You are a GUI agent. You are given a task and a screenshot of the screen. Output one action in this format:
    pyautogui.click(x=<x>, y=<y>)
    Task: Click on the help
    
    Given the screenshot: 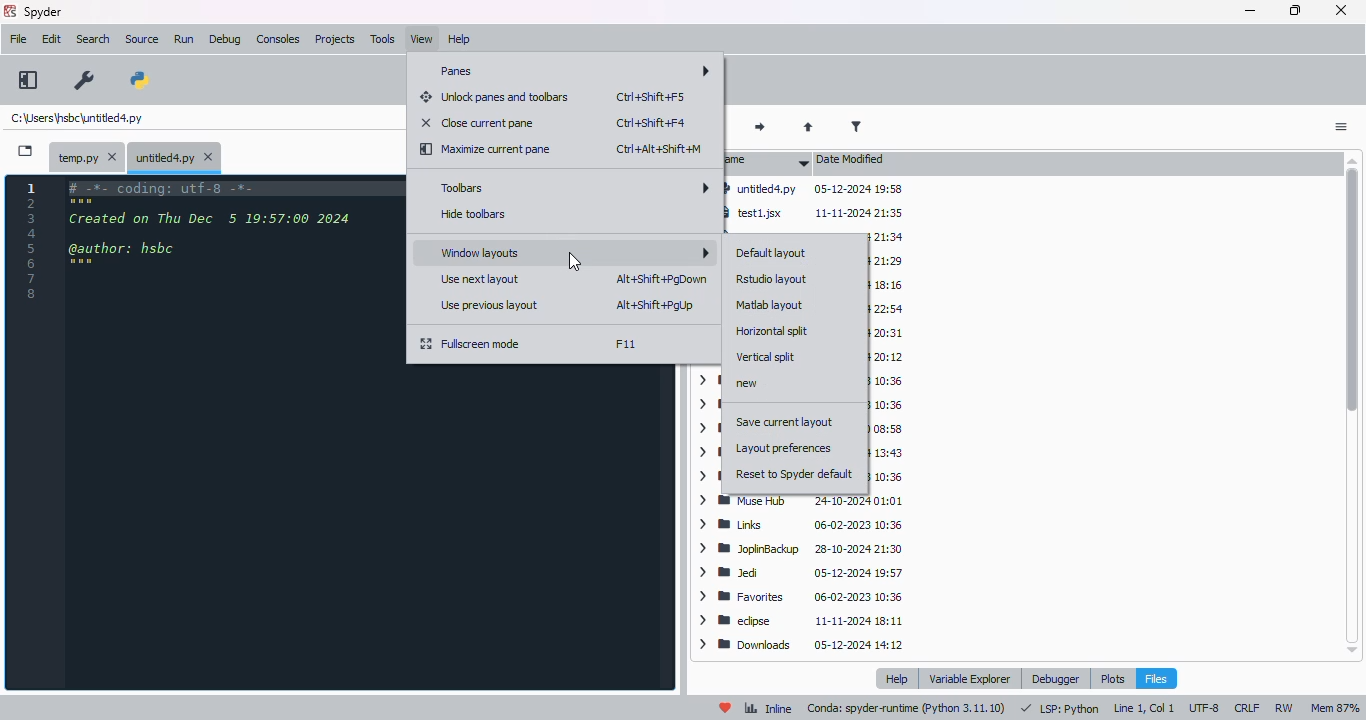 What is the action you would take?
    pyautogui.click(x=459, y=39)
    